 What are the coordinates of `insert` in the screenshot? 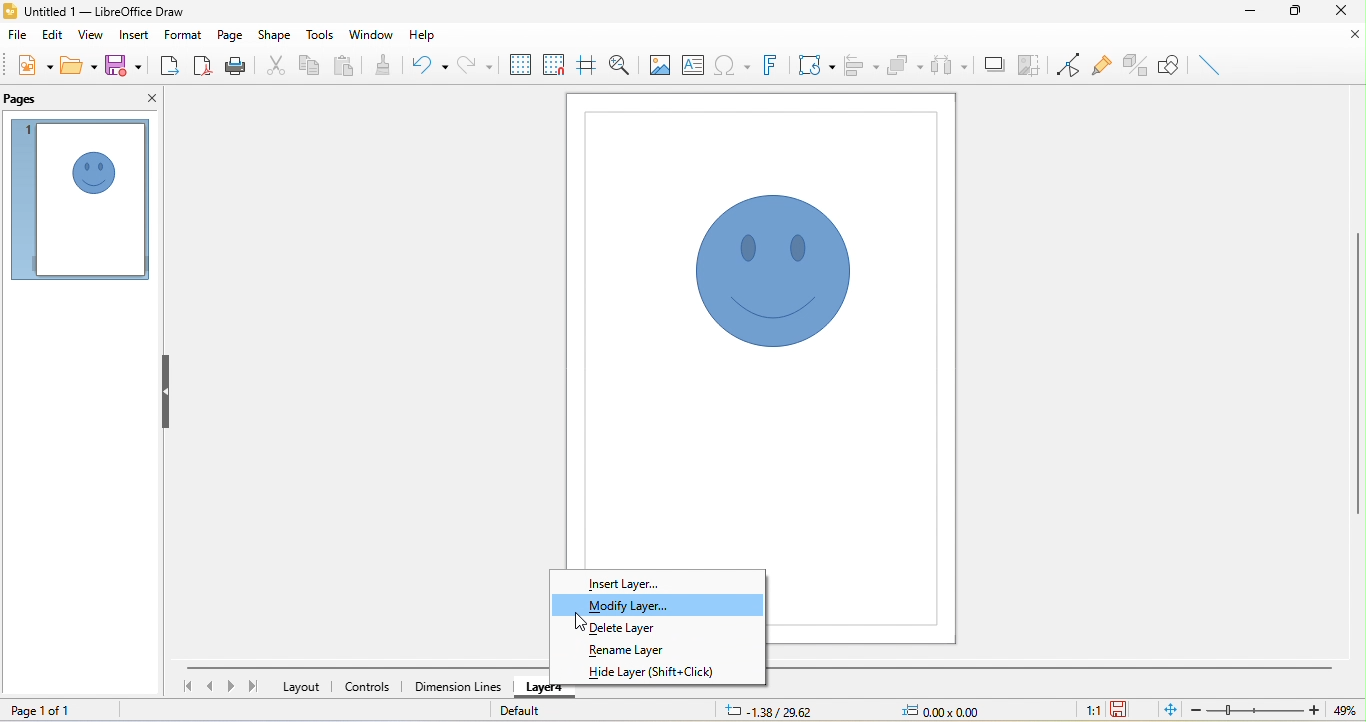 It's located at (135, 35).